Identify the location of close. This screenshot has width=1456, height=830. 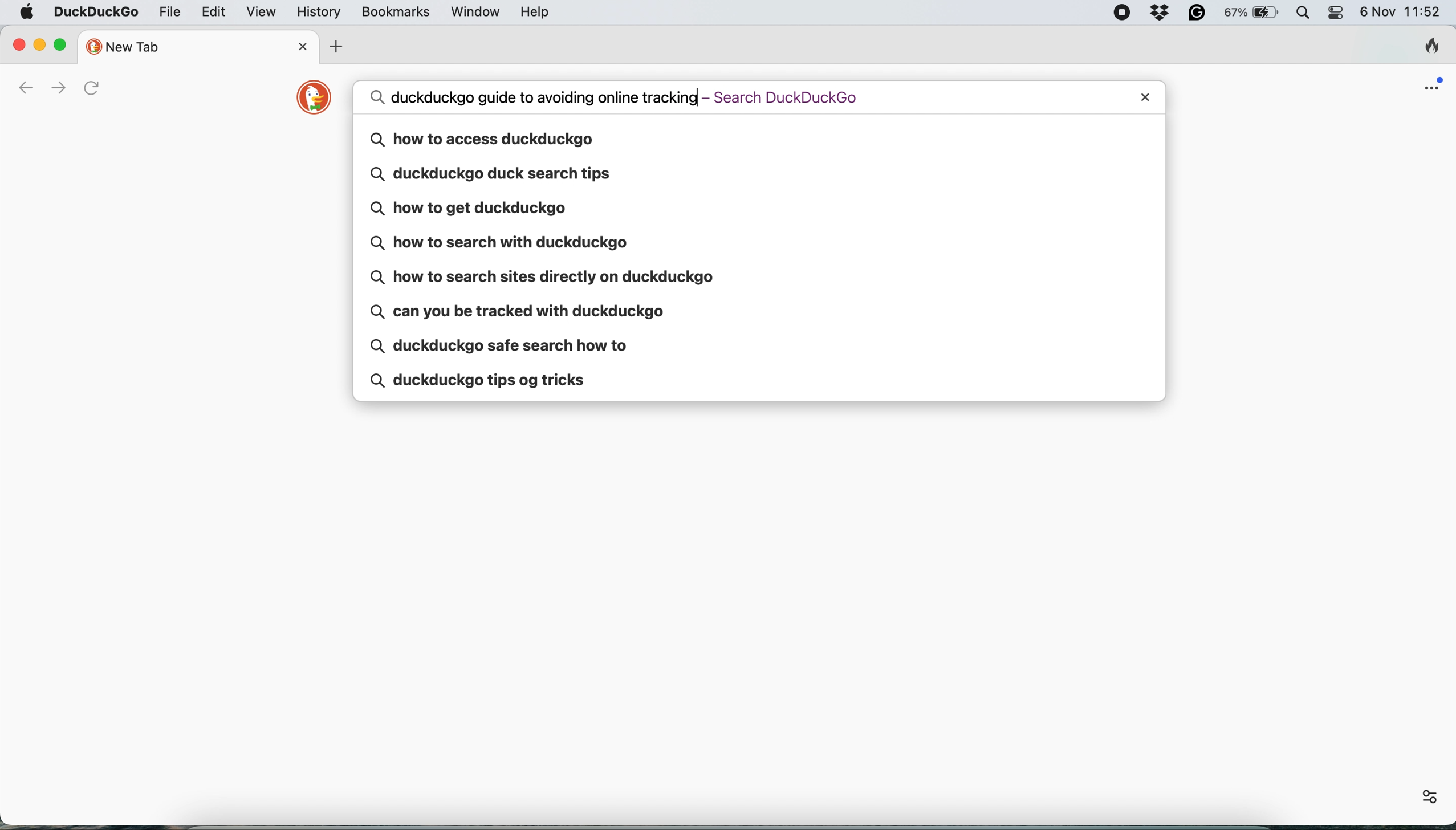
(16, 45).